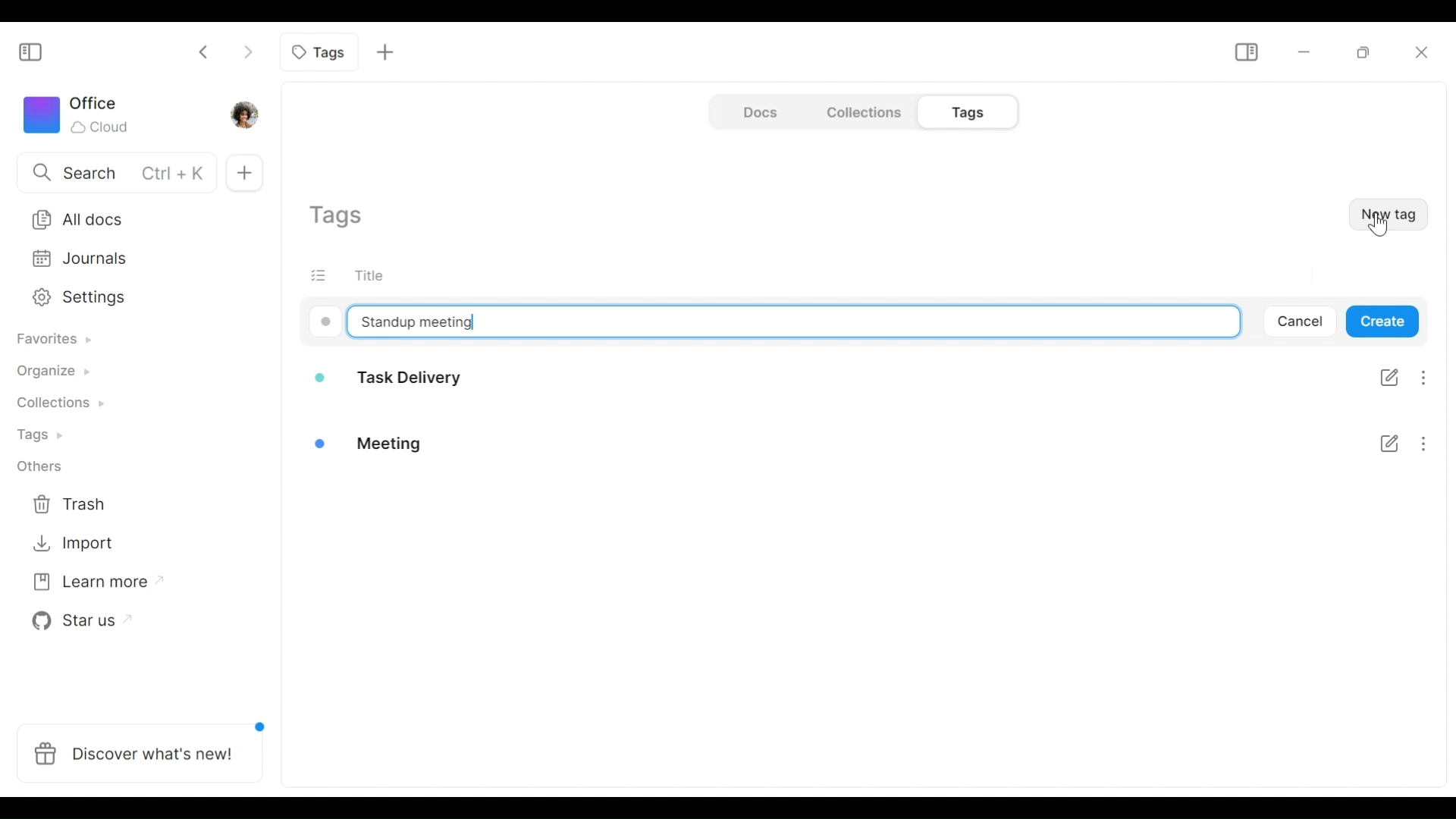  Describe the element at coordinates (386, 52) in the screenshot. I see `Add new` at that location.